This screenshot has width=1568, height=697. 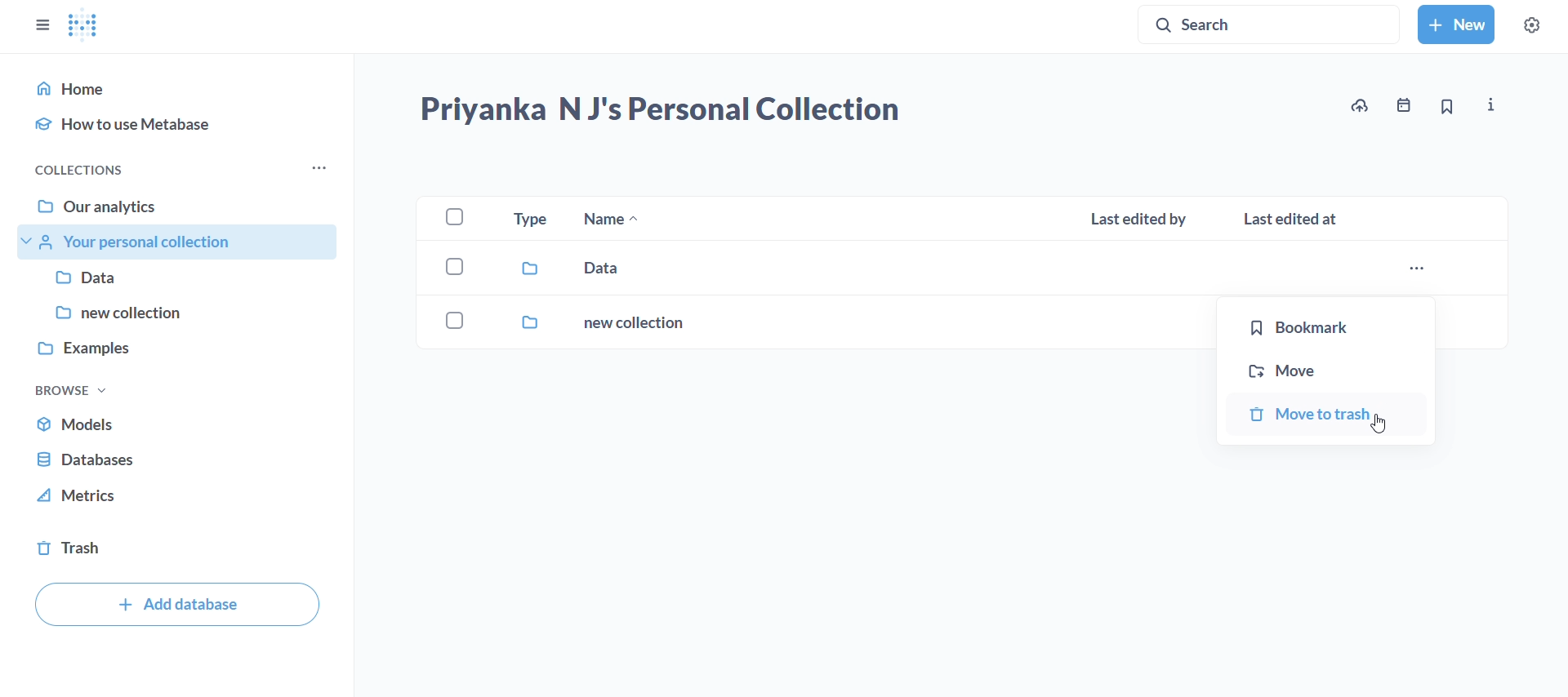 I want to click on metrics, so click(x=182, y=496).